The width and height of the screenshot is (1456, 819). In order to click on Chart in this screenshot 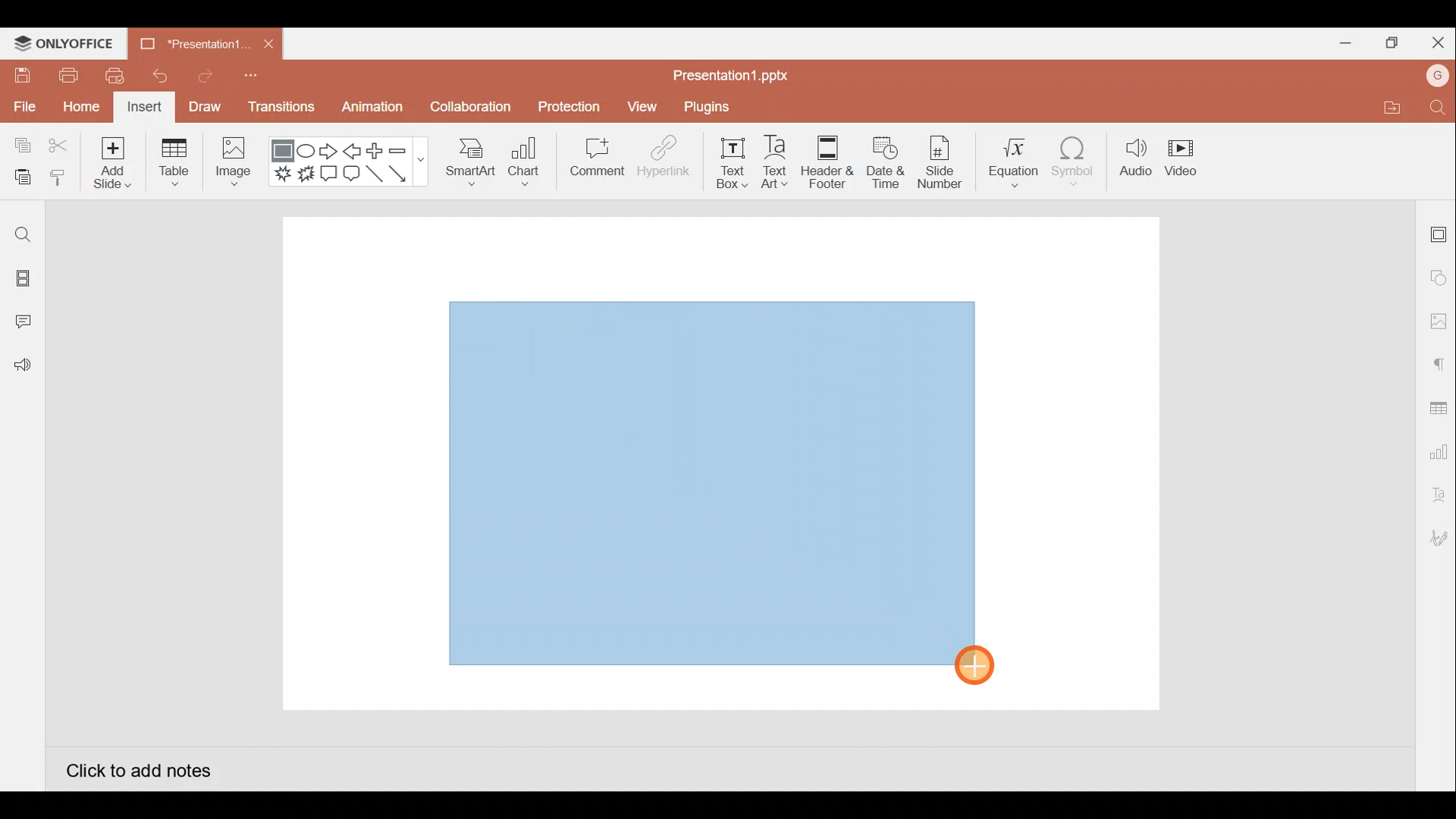, I will do `click(525, 160)`.